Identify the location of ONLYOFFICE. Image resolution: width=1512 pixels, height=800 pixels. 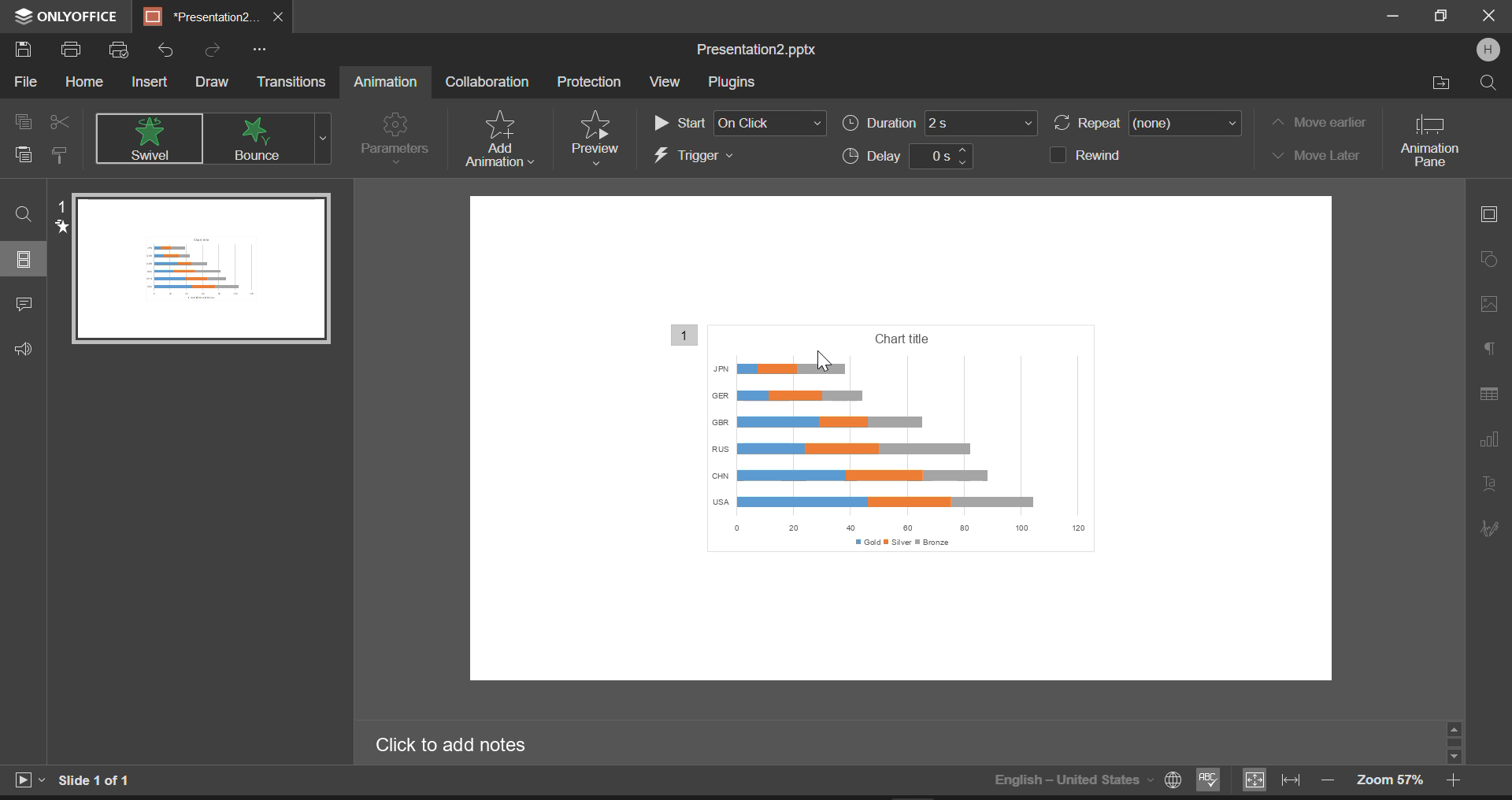
(63, 17).